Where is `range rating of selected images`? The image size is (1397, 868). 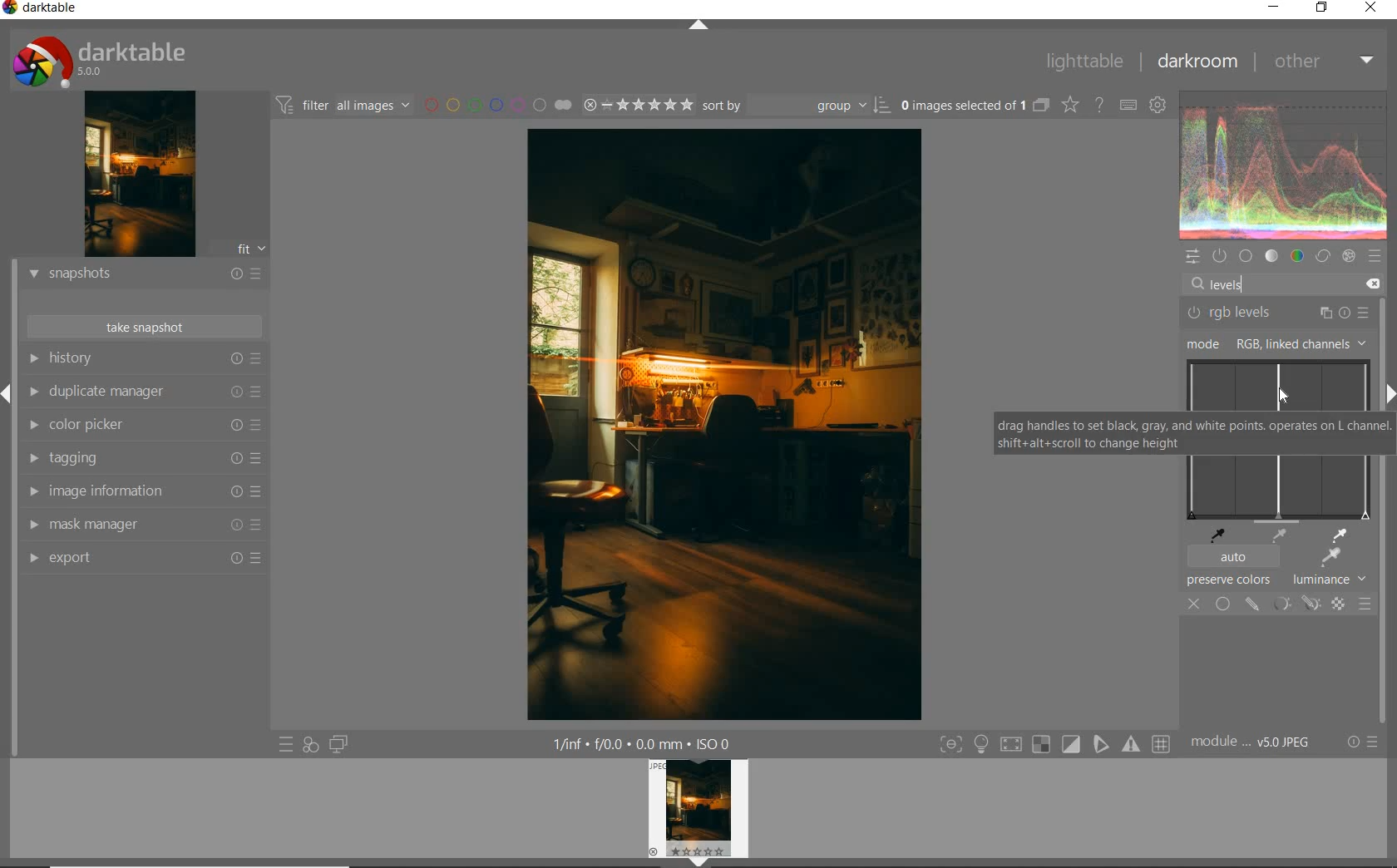
range rating of selected images is located at coordinates (638, 105).